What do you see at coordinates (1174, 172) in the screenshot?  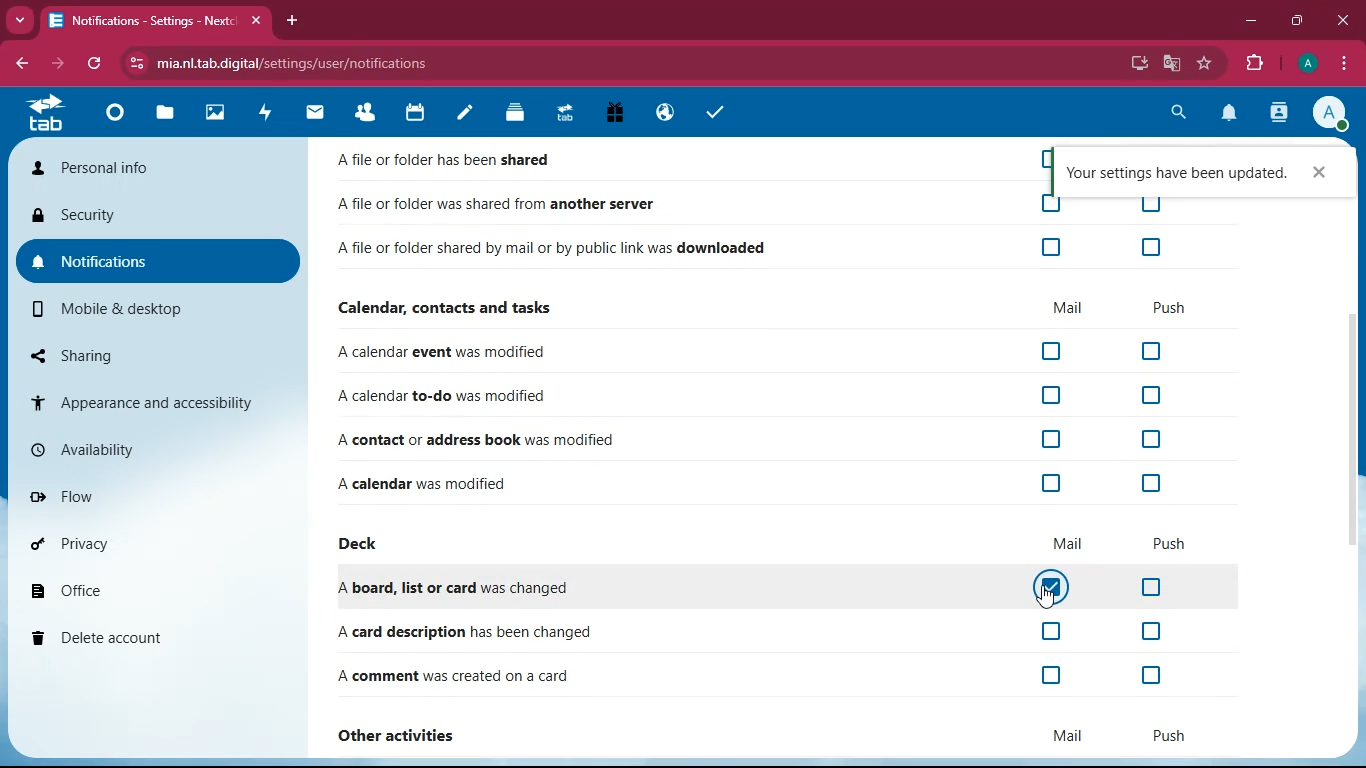 I see ` Your settings have been updated.` at bounding box center [1174, 172].